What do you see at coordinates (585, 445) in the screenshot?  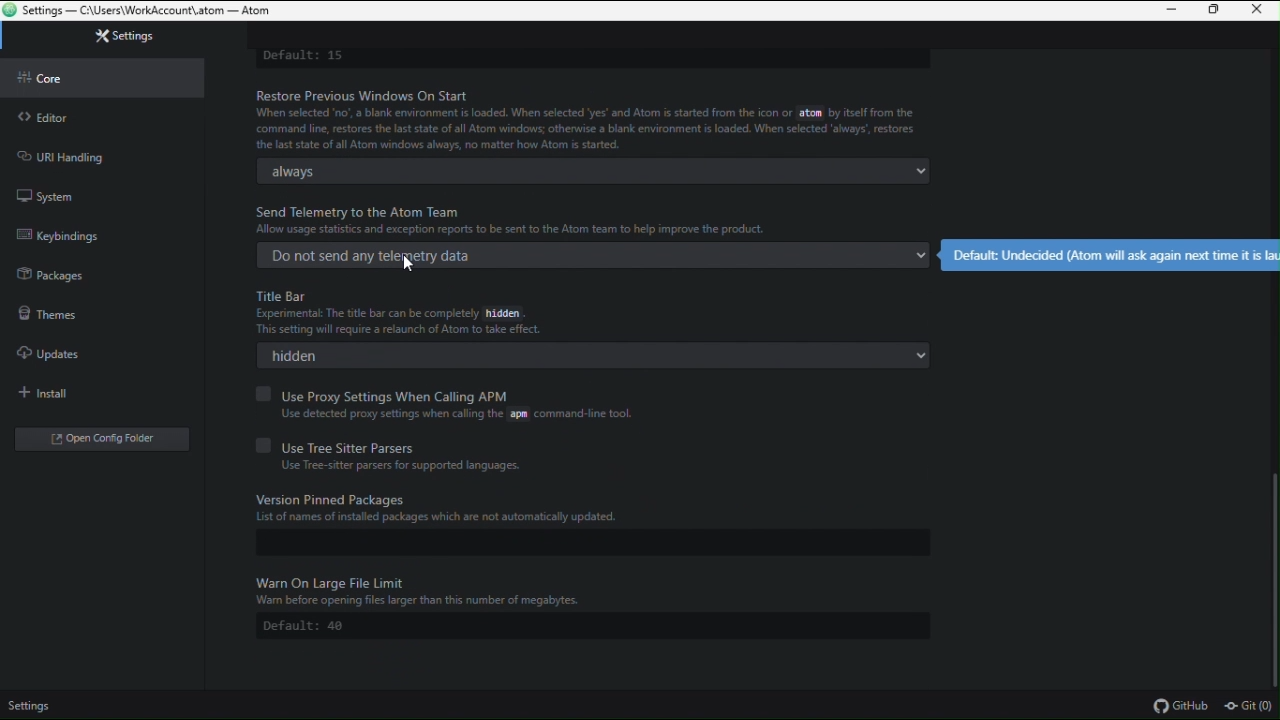 I see `Use Tree Sitter Parsers` at bounding box center [585, 445].